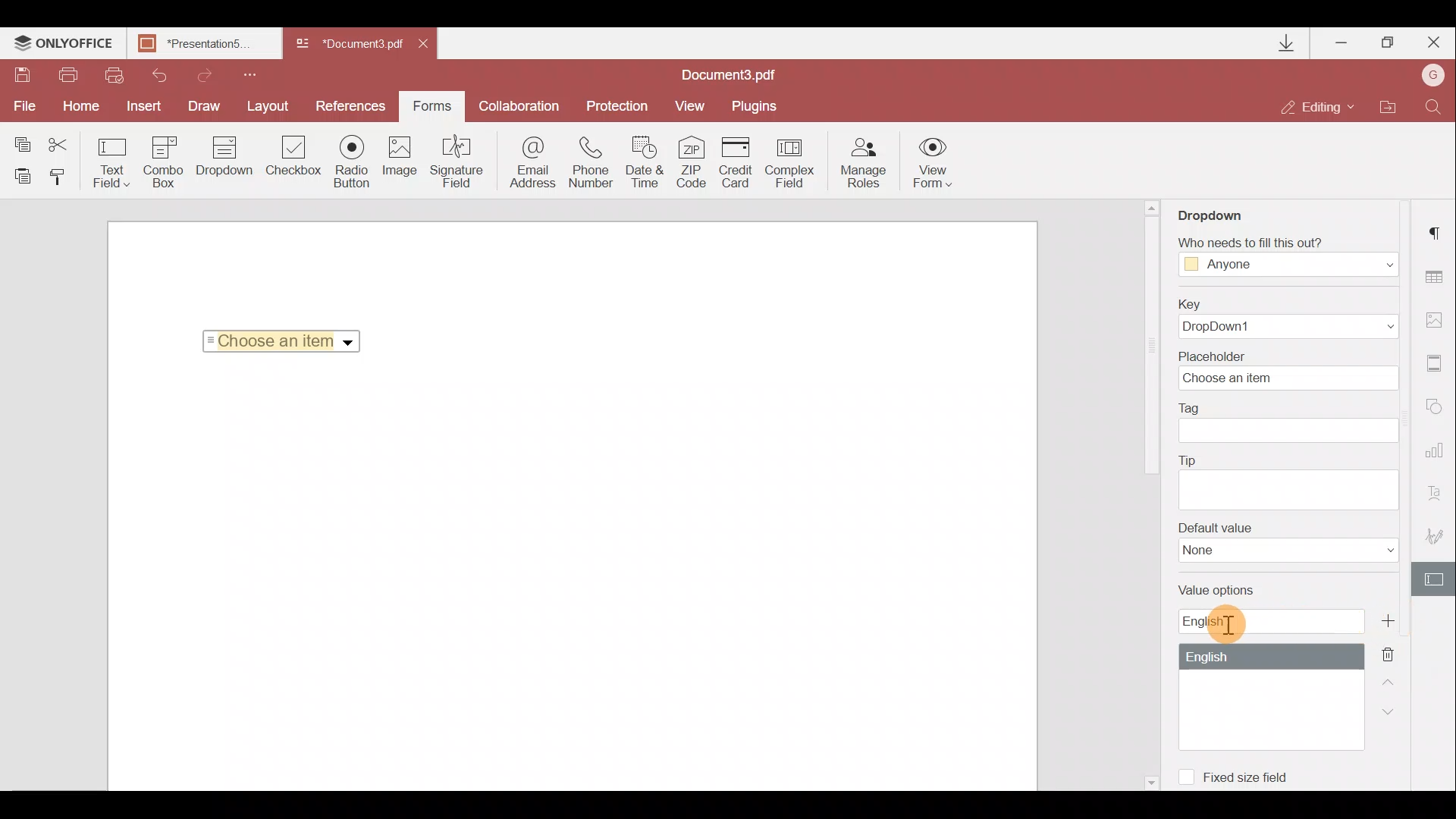  Describe the element at coordinates (1438, 316) in the screenshot. I see `Image settings` at that location.